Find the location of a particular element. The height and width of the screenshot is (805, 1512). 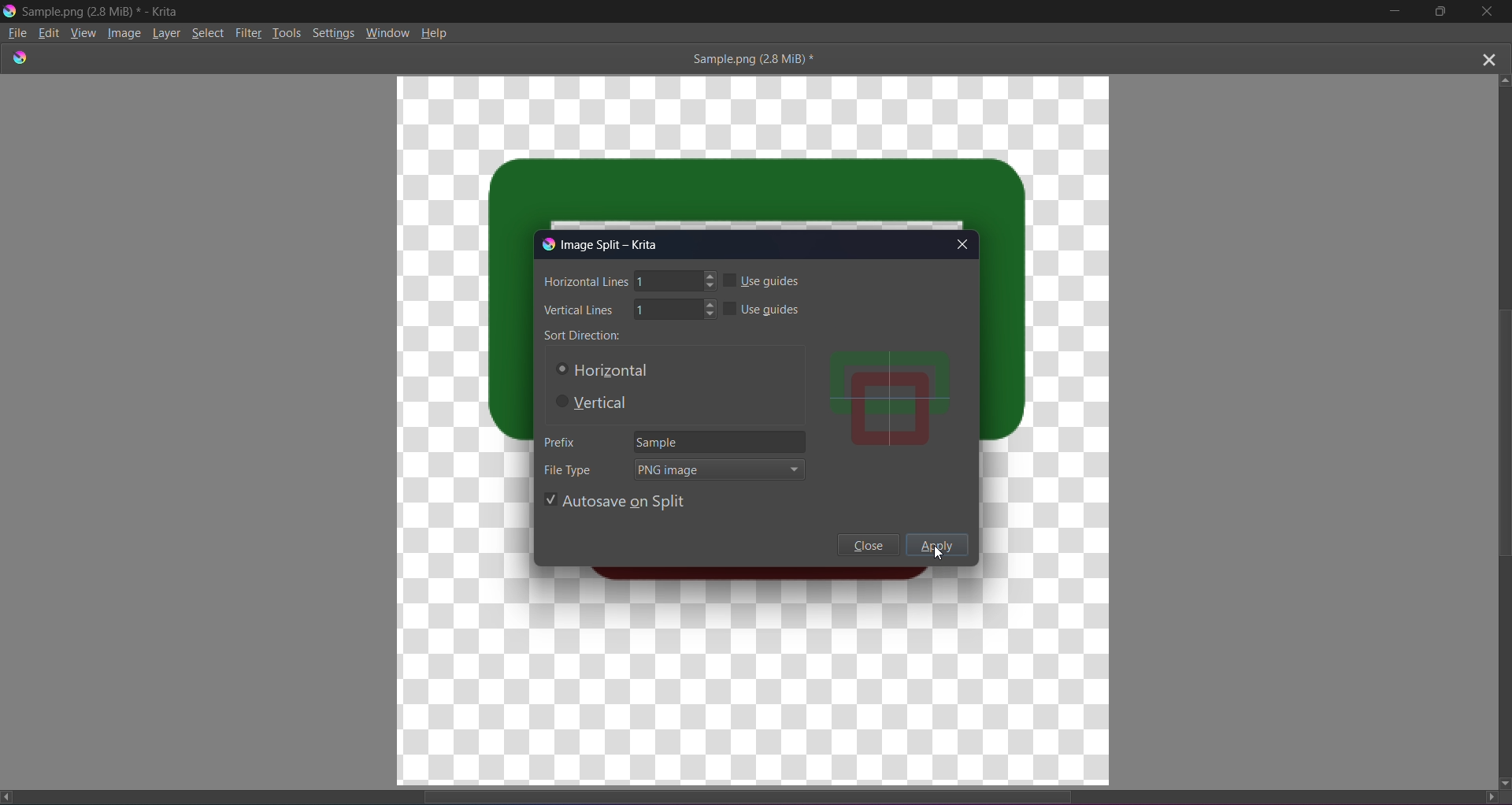

Horizontal is located at coordinates (601, 370).